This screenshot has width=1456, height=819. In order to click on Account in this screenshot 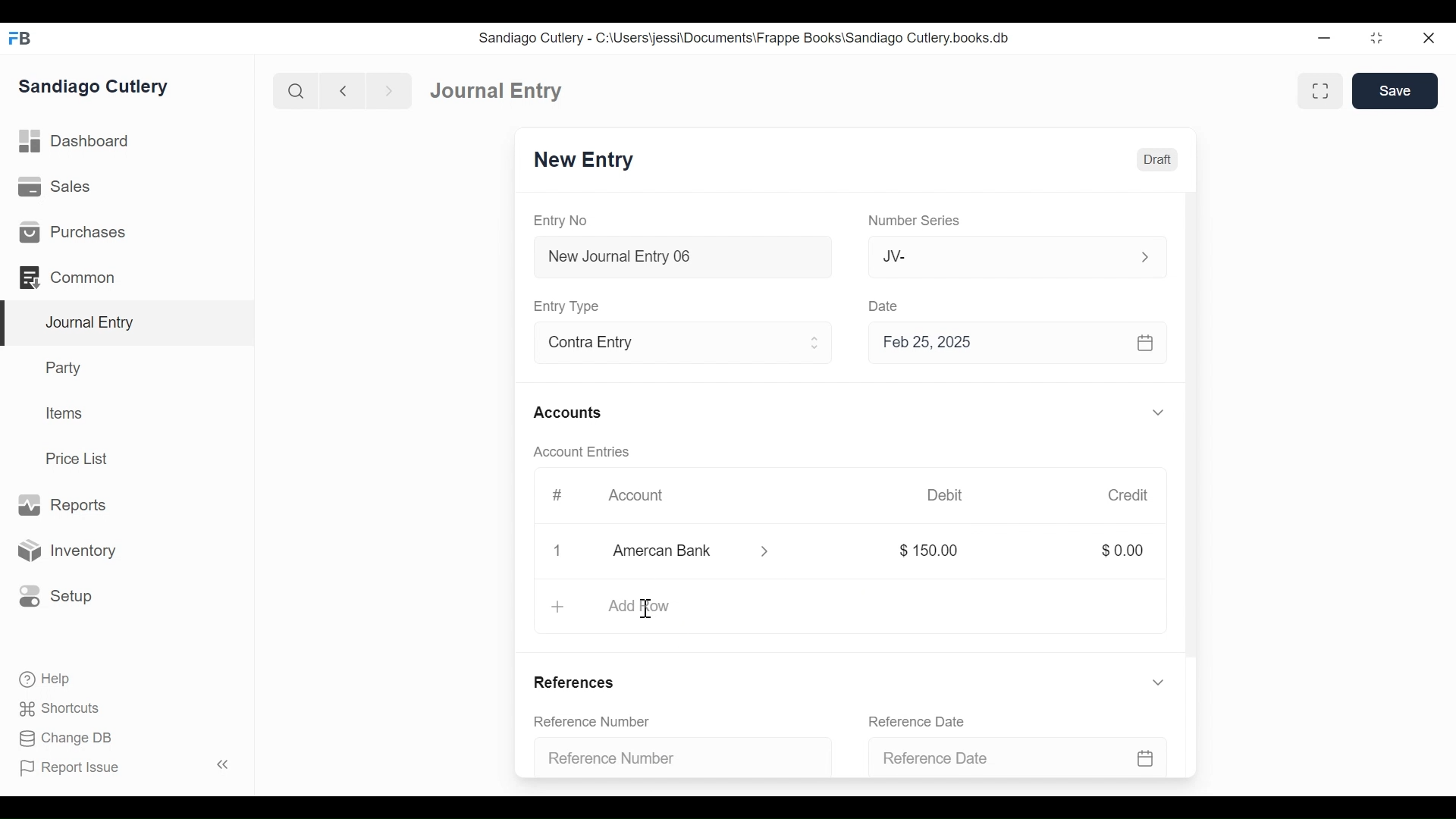, I will do `click(646, 500)`.